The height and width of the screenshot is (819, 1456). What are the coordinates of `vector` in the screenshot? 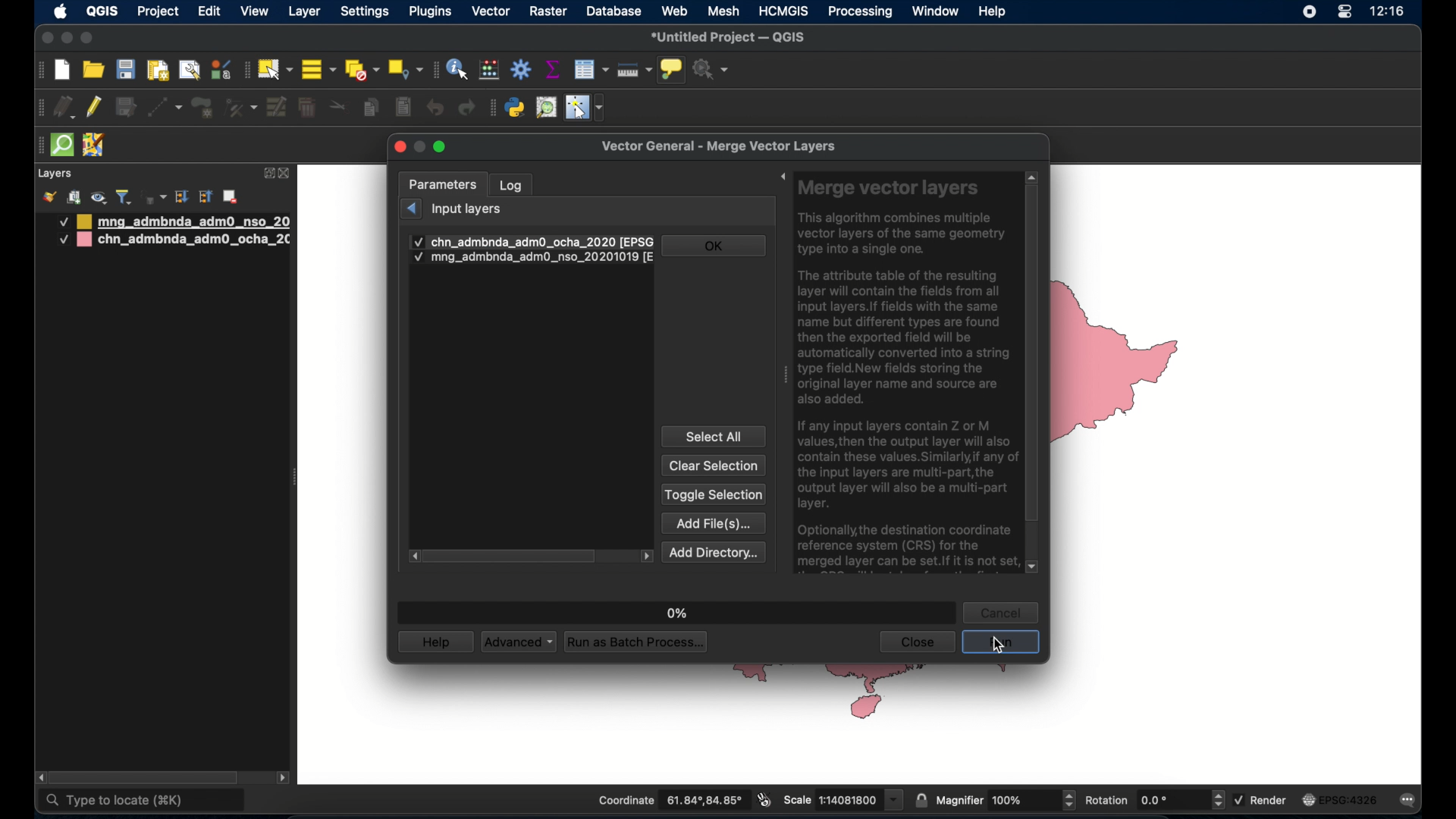 It's located at (491, 11).